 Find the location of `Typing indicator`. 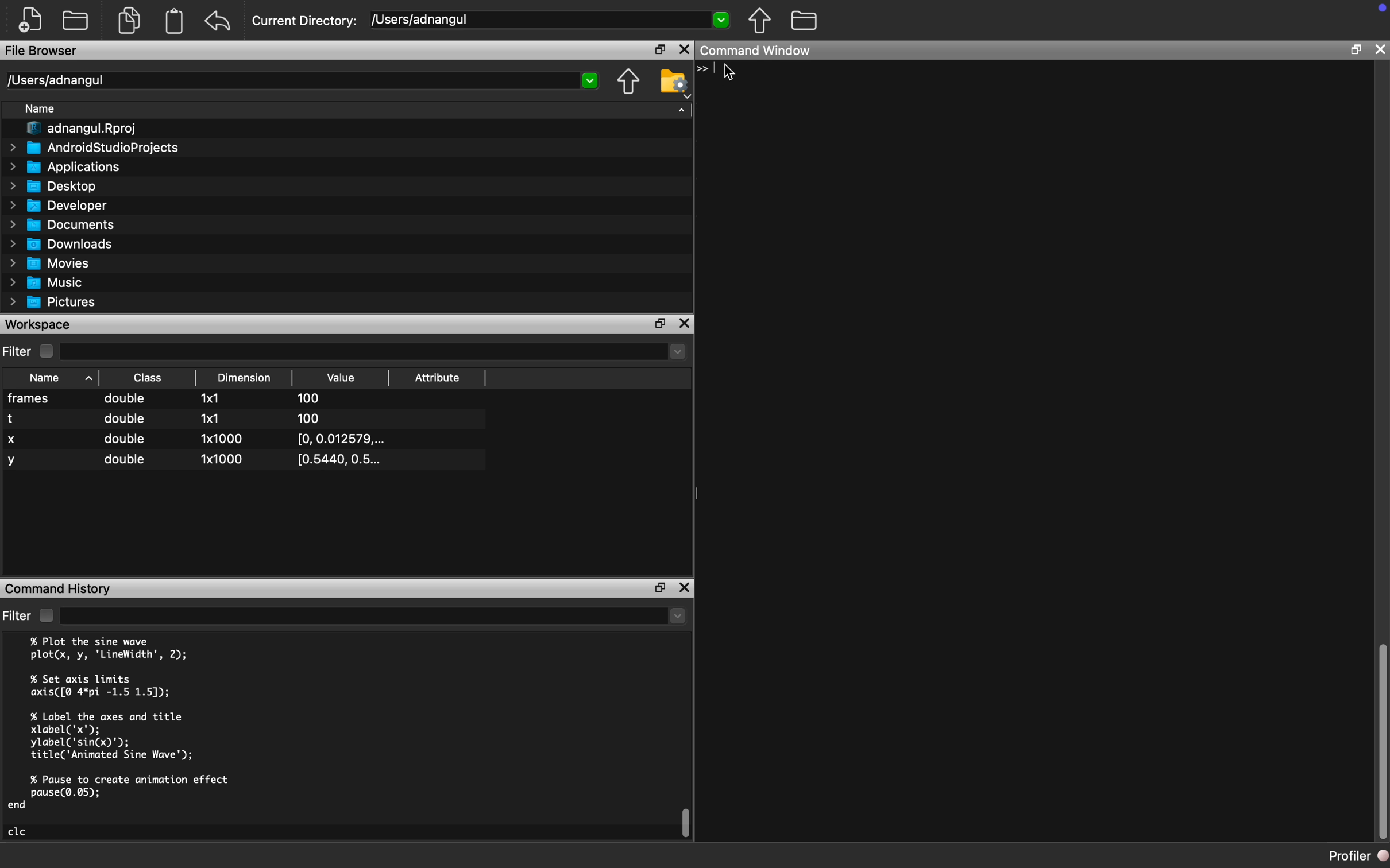

Typing indicator is located at coordinates (707, 72).